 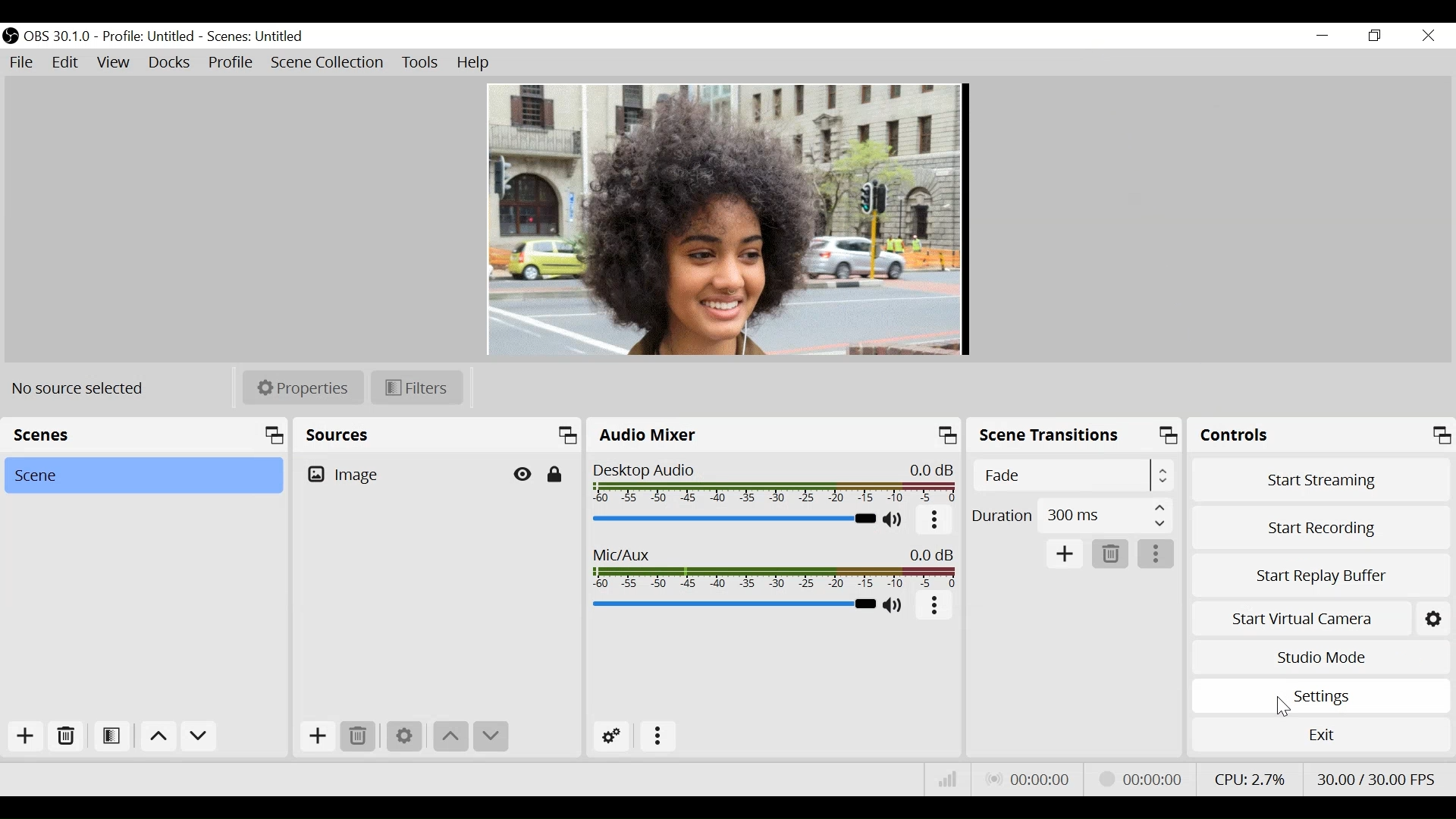 I want to click on Delete, so click(x=359, y=736).